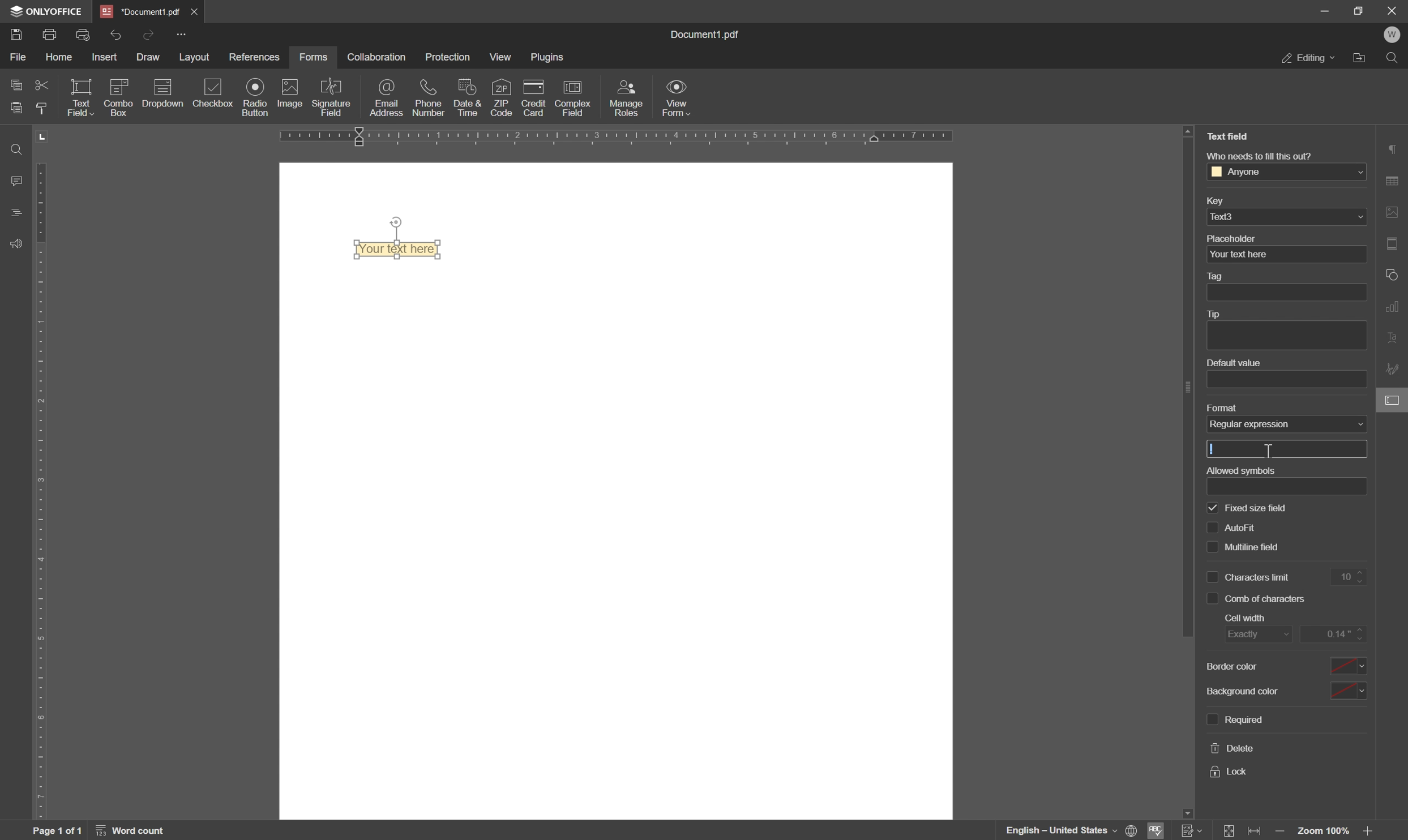 The image size is (1408, 840). Describe the element at coordinates (17, 107) in the screenshot. I see `paste` at that location.